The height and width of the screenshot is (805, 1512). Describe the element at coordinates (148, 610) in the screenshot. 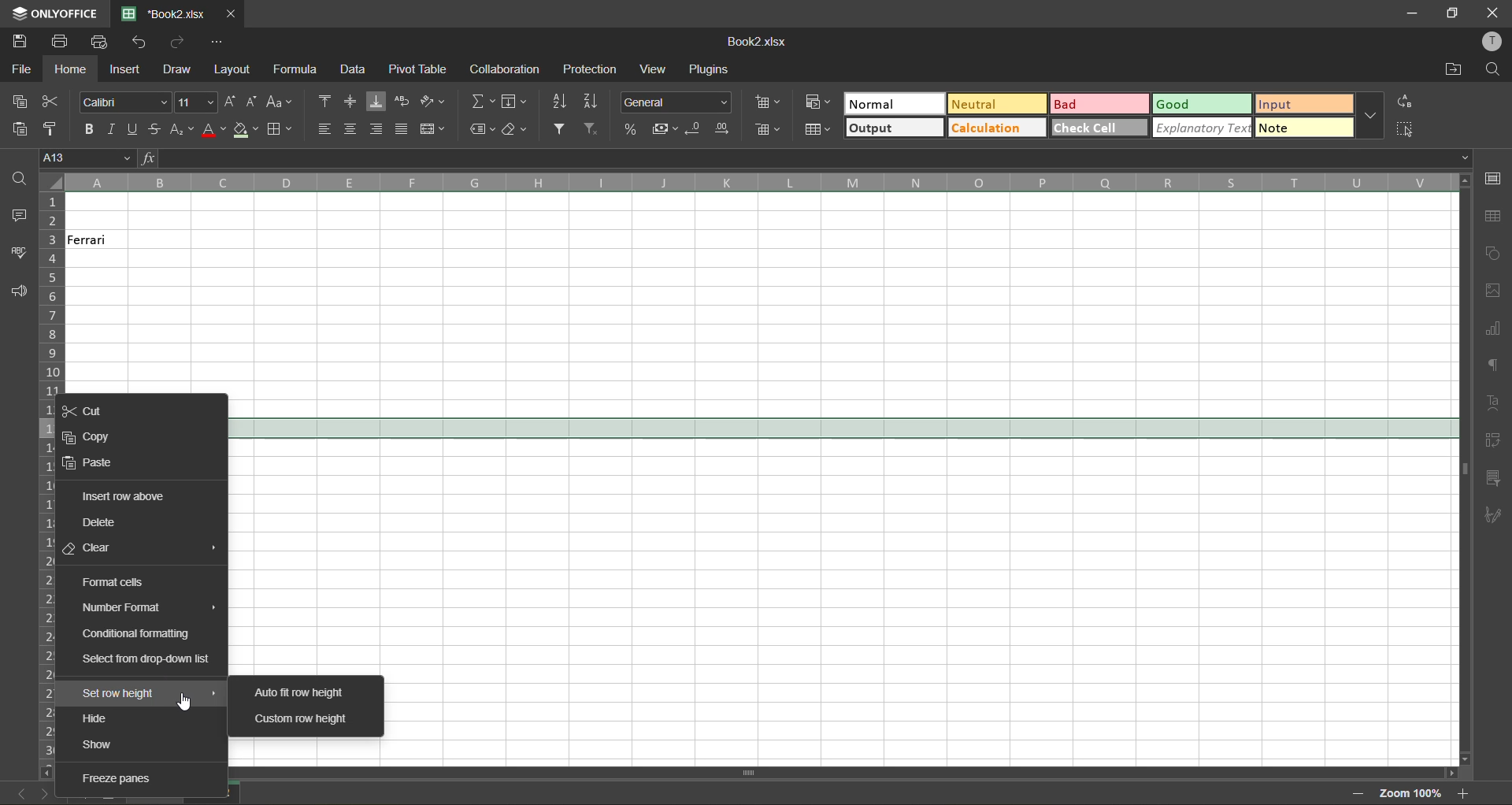

I see `number format` at that location.